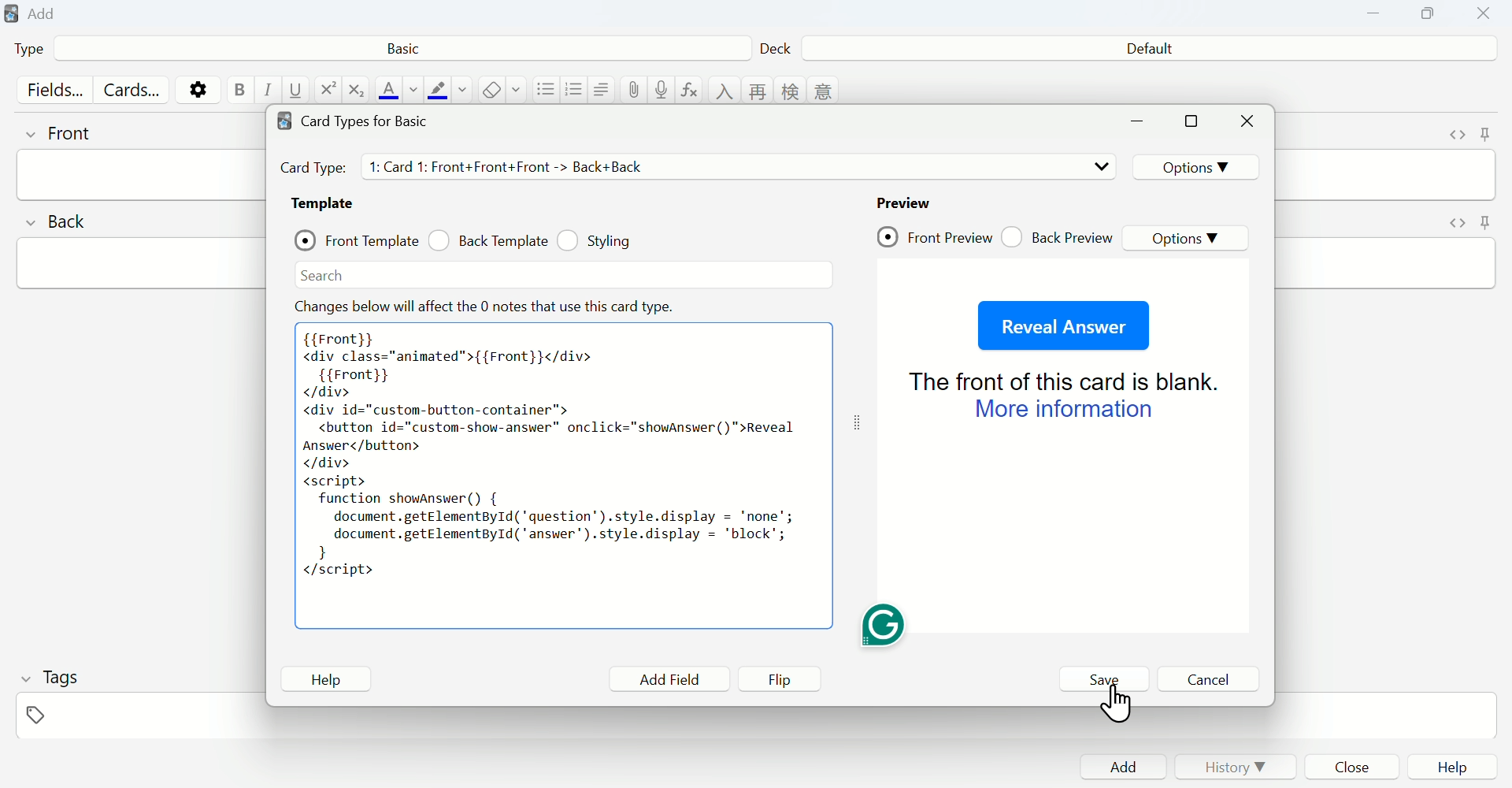  I want to click on Help, so click(328, 679).